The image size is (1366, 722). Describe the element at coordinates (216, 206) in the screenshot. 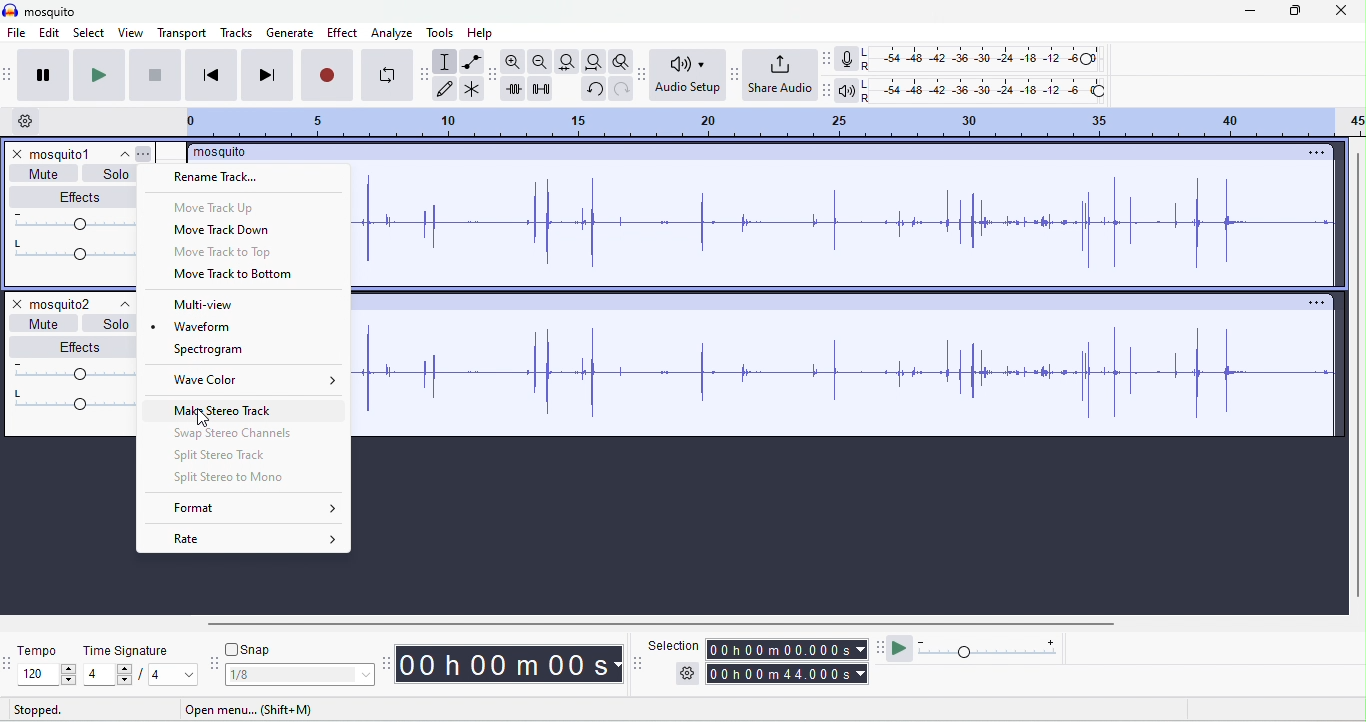

I see `move track up` at that location.